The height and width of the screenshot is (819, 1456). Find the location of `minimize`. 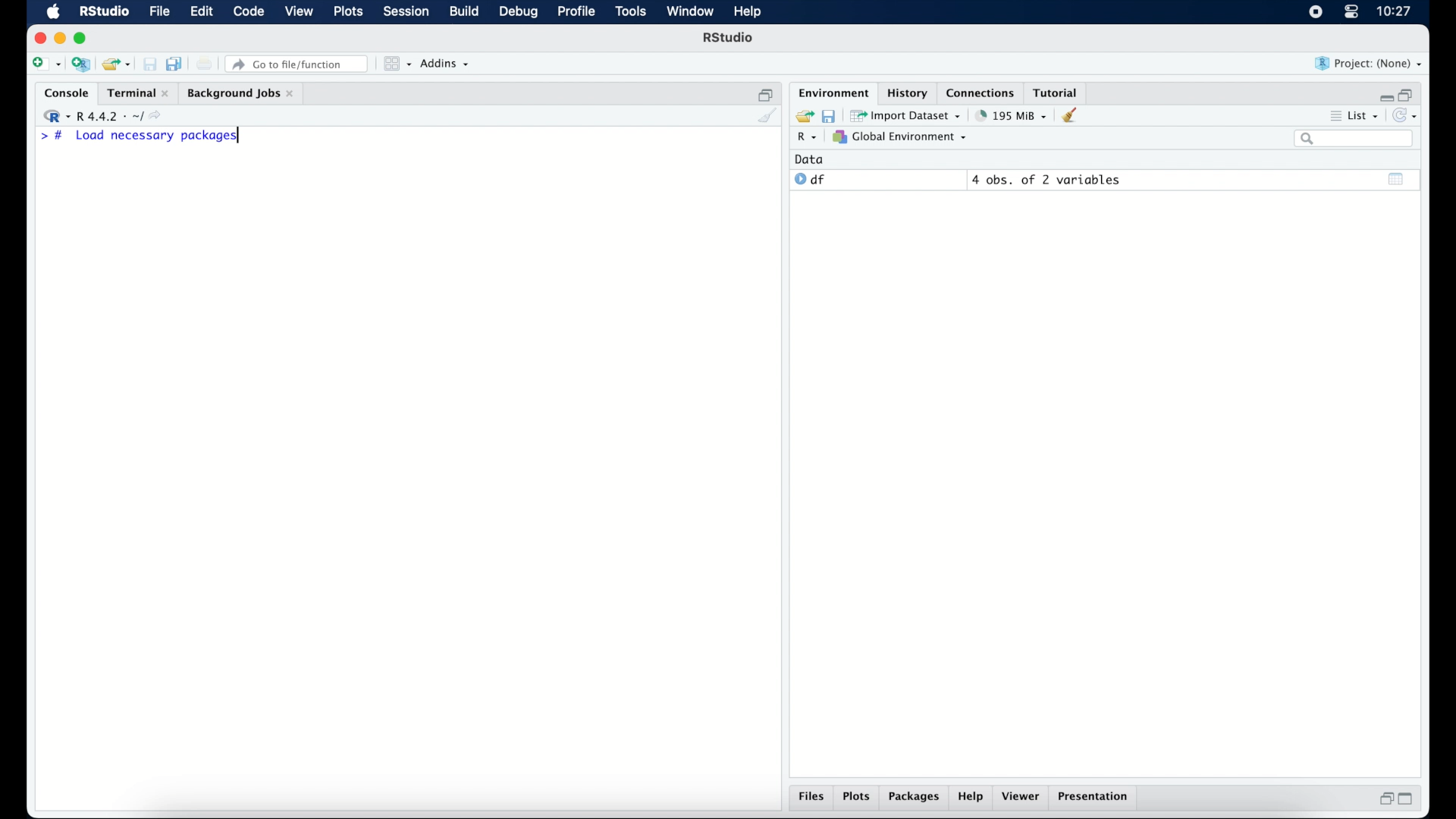

minimize is located at coordinates (1384, 94).